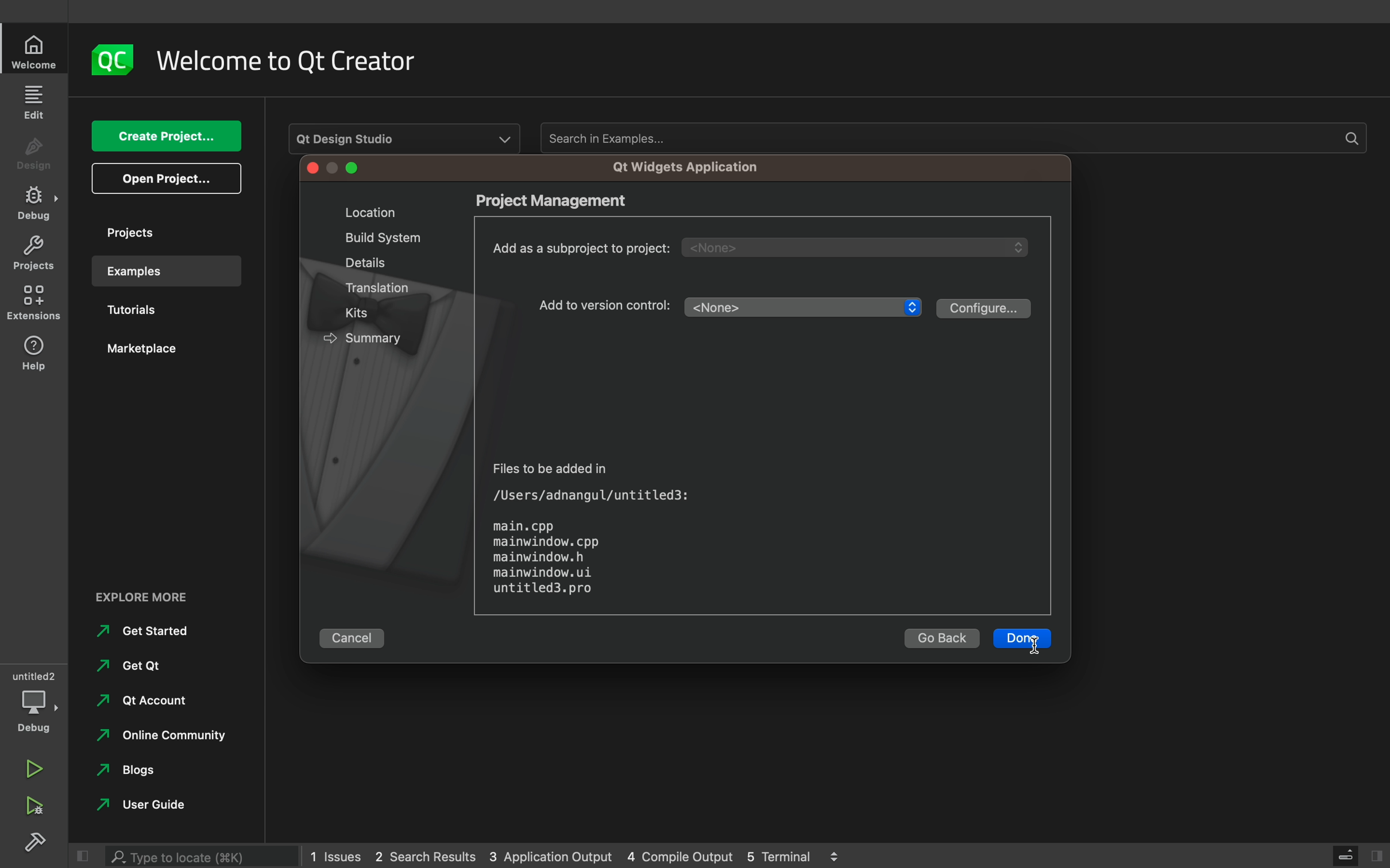 The image size is (1390, 868). I want to click on 5 terminal, so click(784, 855).